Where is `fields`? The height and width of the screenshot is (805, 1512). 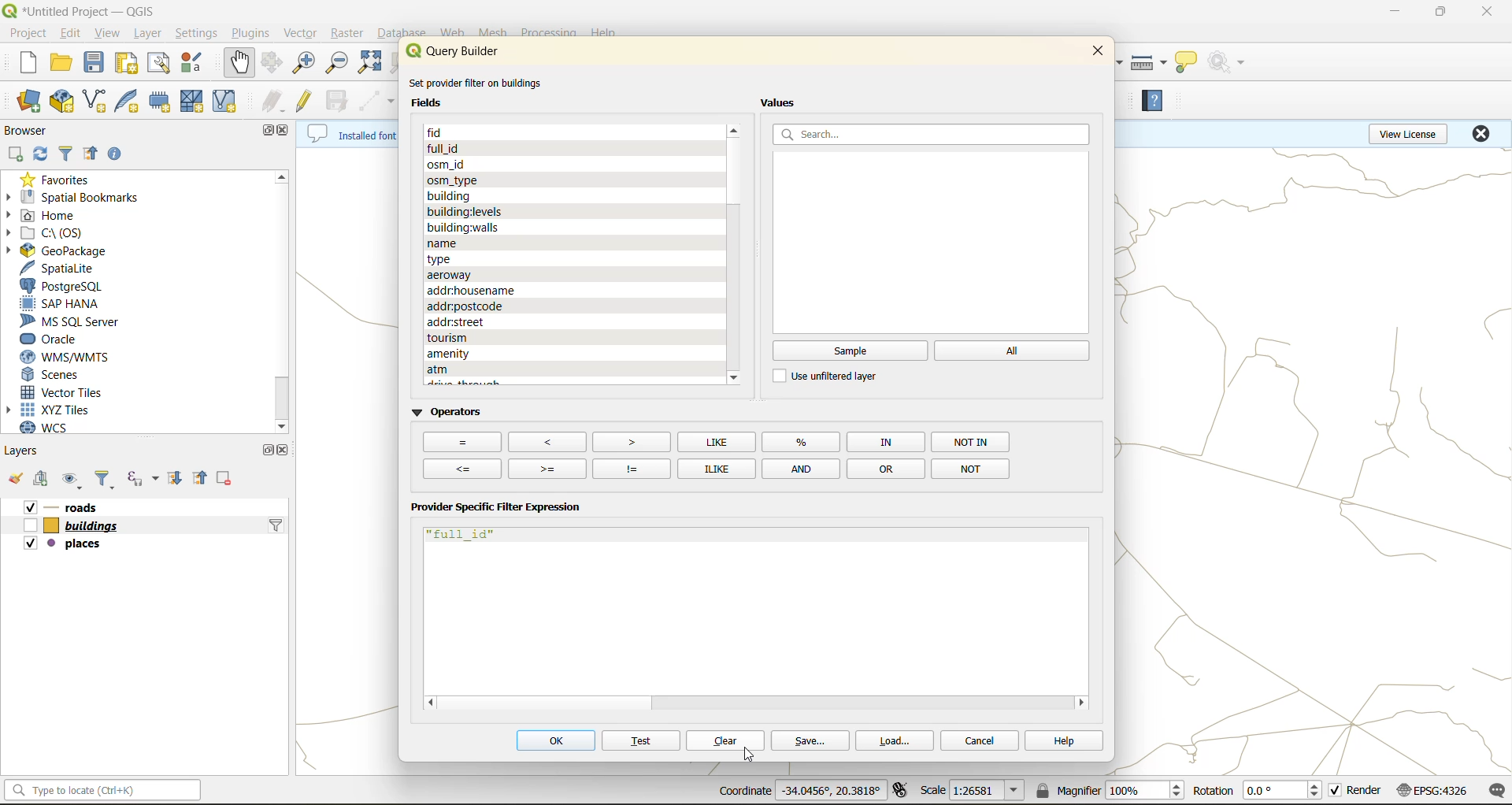 fields is located at coordinates (539, 368).